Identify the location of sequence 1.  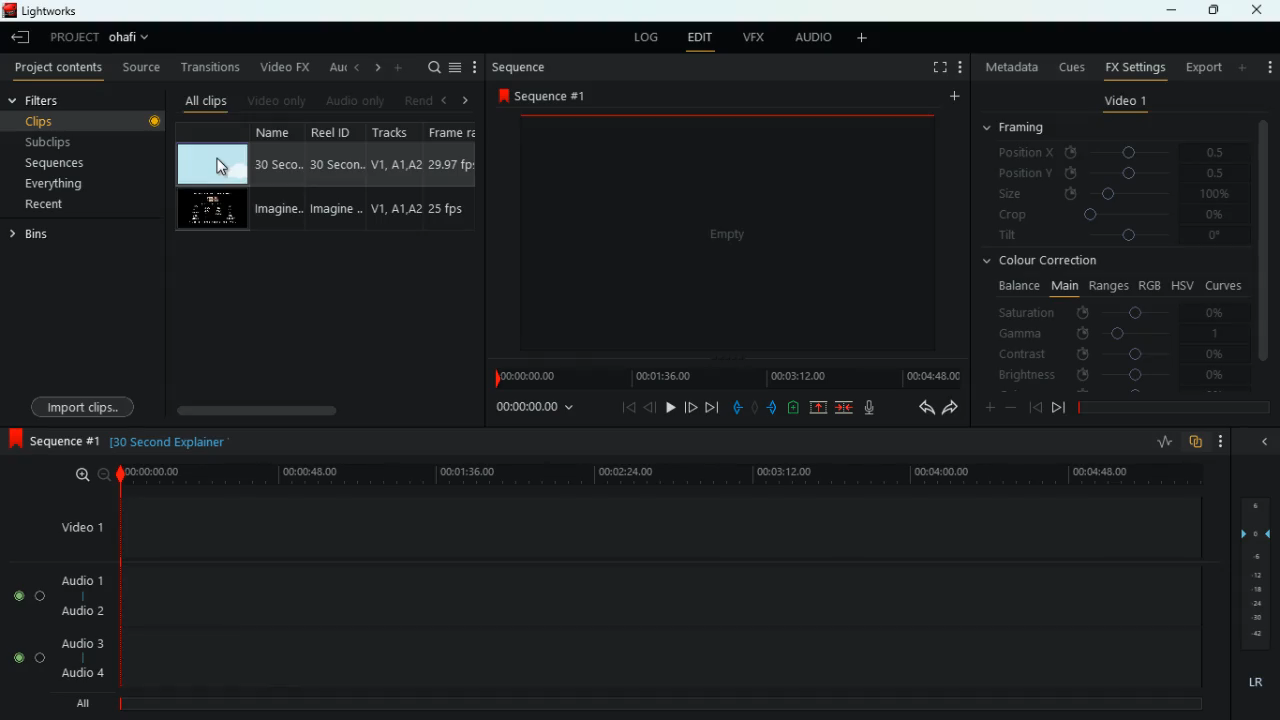
(51, 439).